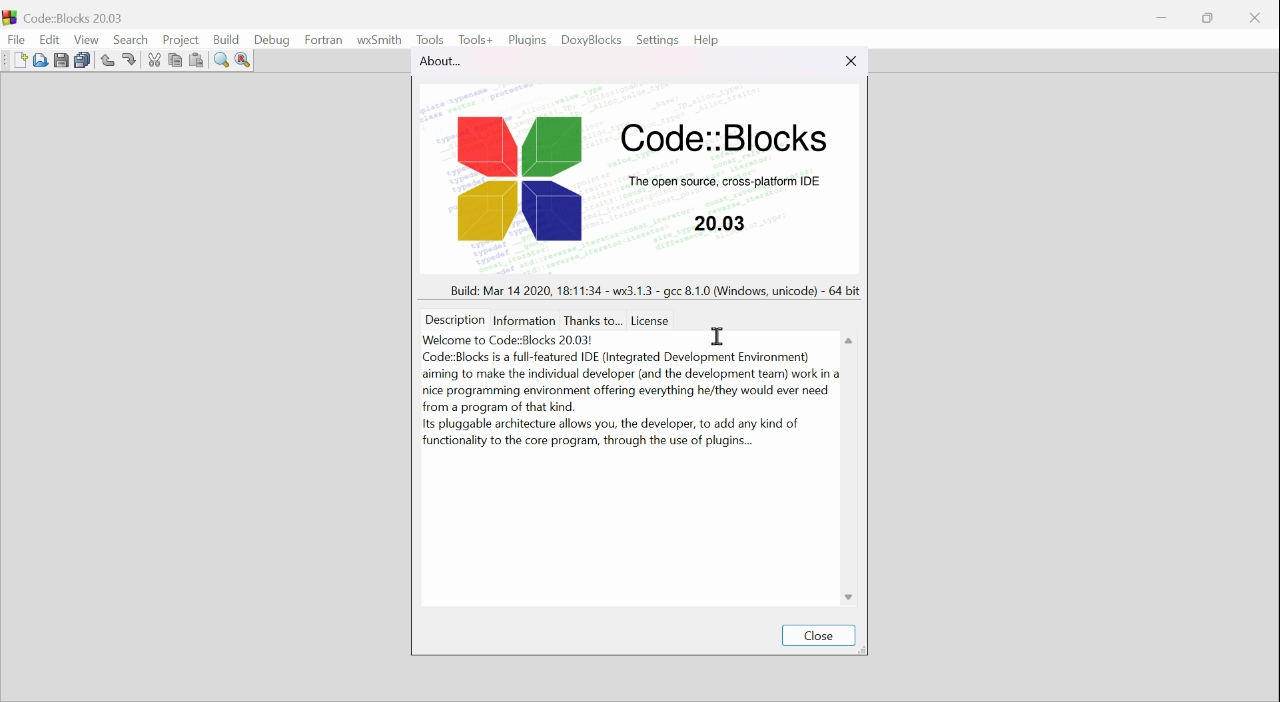  Describe the element at coordinates (651, 288) in the screenshot. I see ` Build: Mar 14 2020, 18:11:34 - w3.1.3 - gec 8.1.0 (Windows, unicode) - 64 bit |` at that location.